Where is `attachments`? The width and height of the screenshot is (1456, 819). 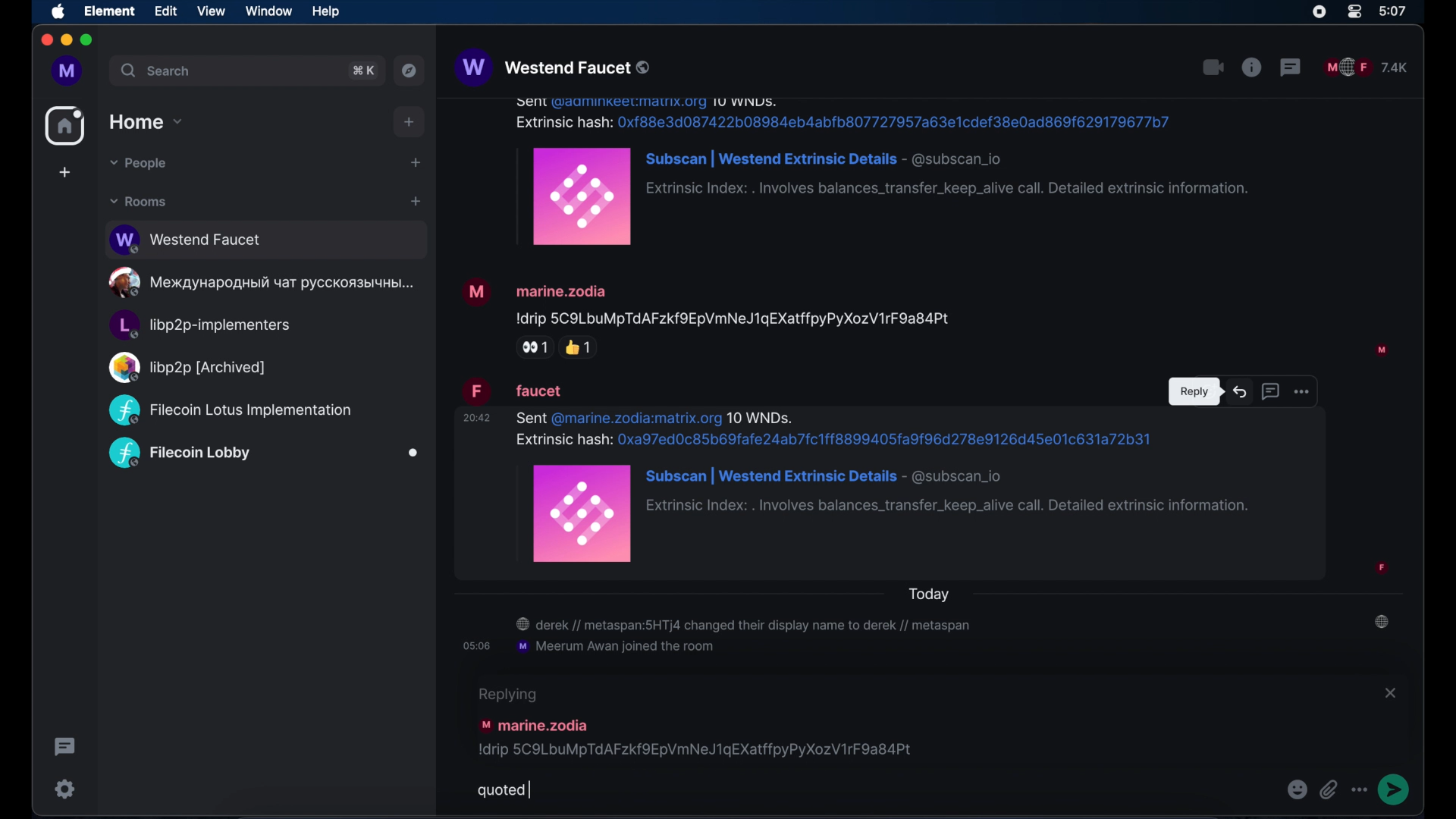 attachments is located at coordinates (1330, 789).